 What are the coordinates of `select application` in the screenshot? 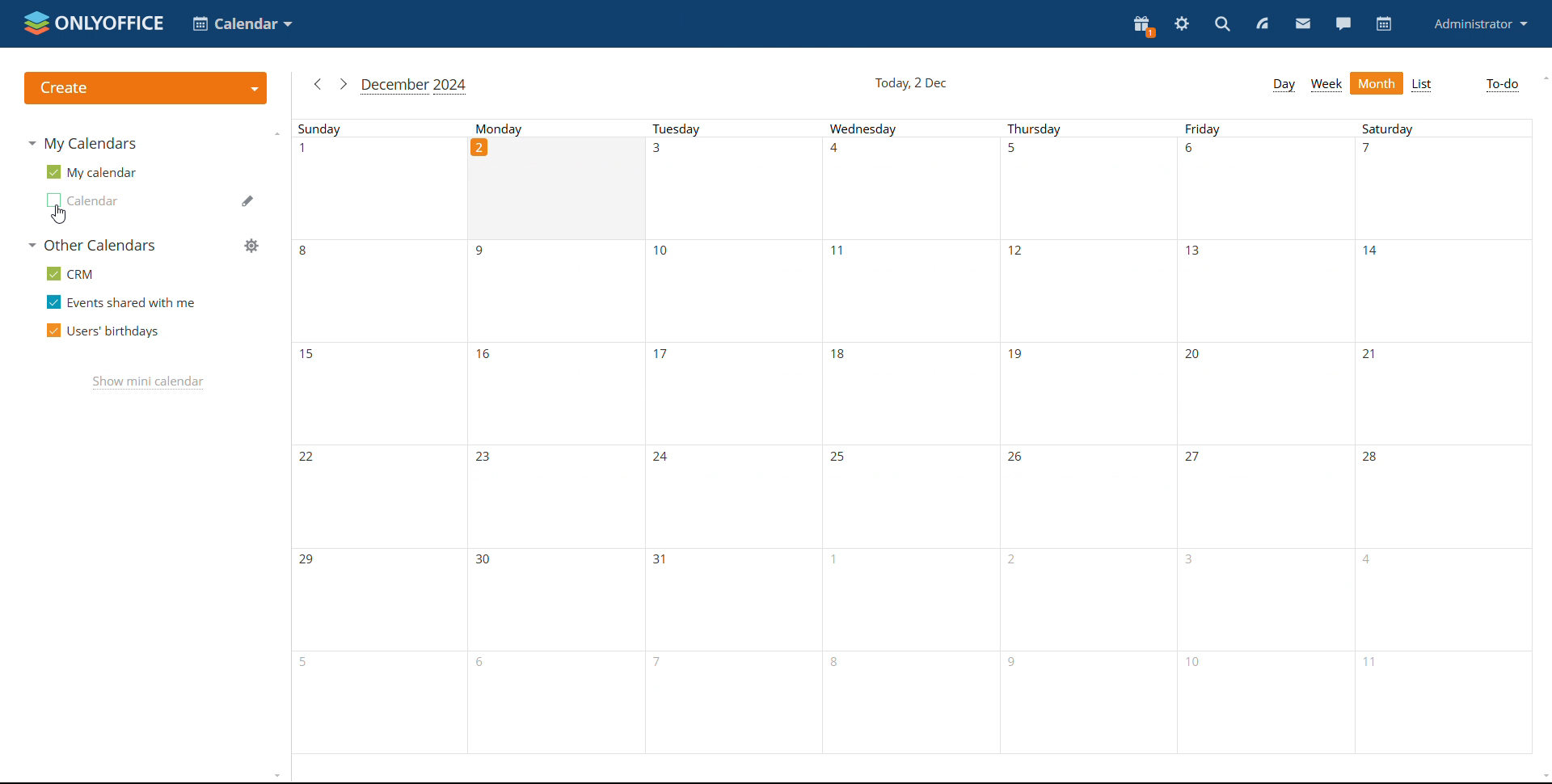 It's located at (243, 24).